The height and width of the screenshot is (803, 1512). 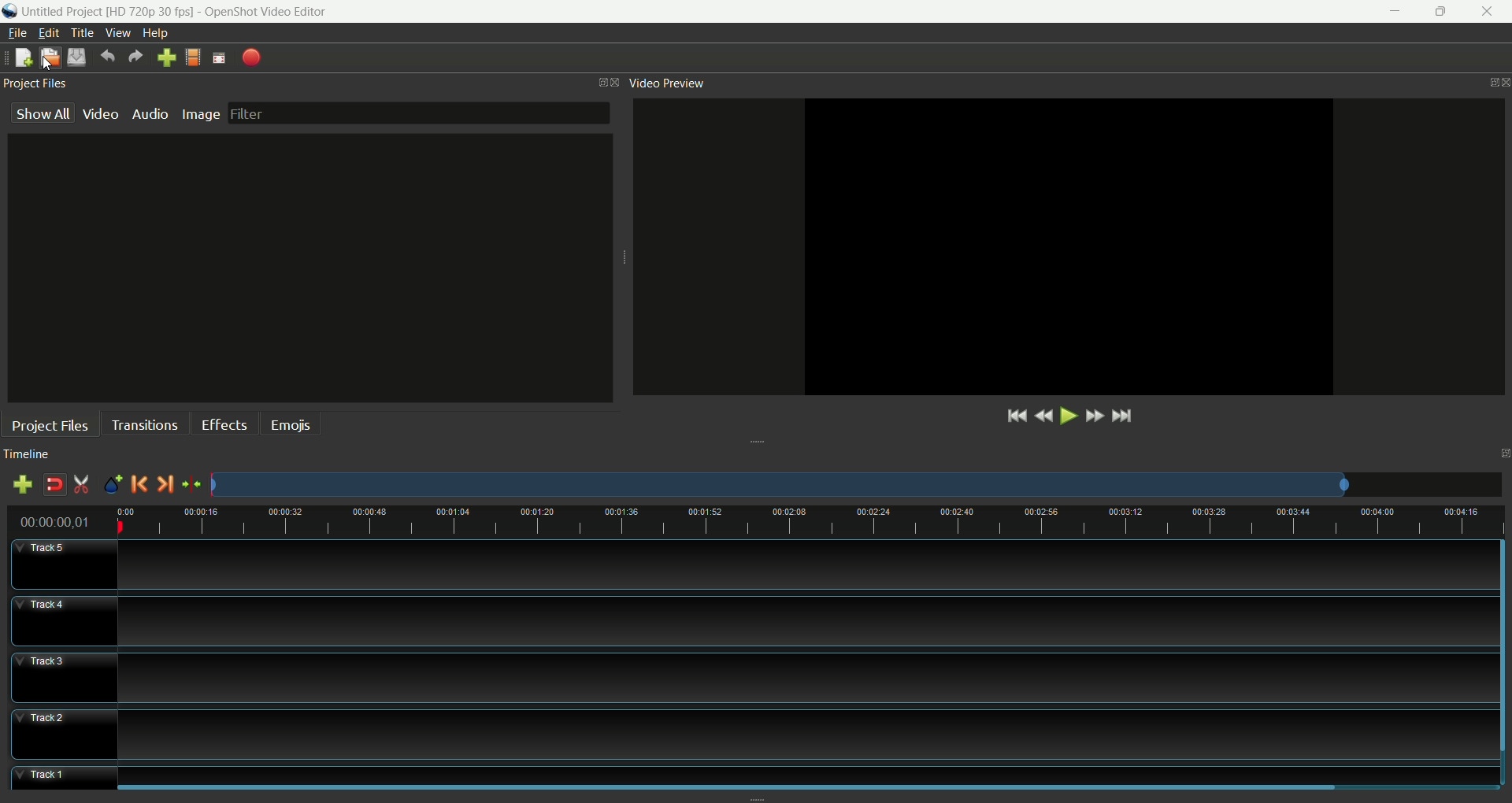 I want to click on zoom factor, so click(x=856, y=484).